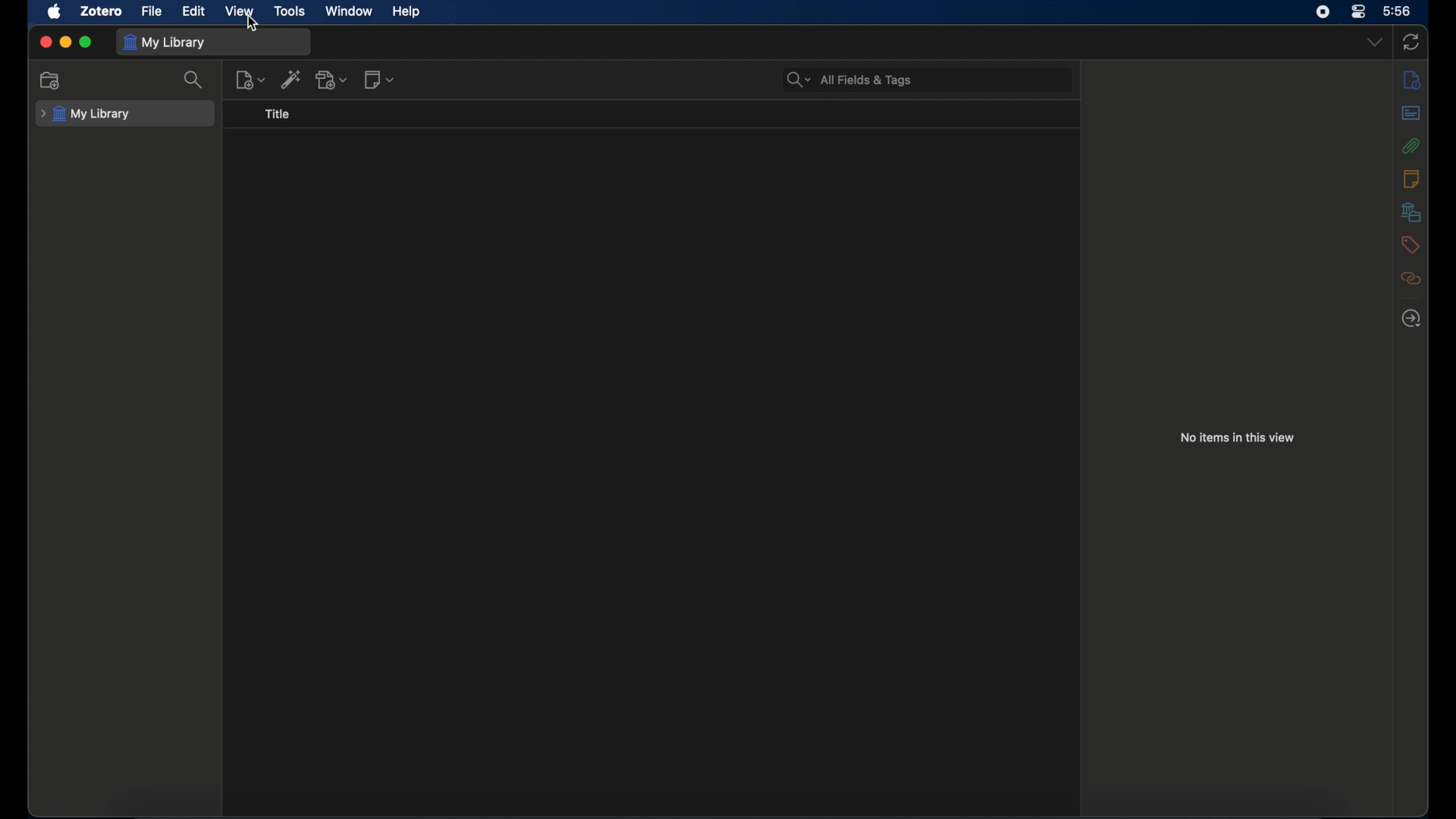 This screenshot has height=819, width=1456. What do you see at coordinates (290, 11) in the screenshot?
I see `tools` at bounding box center [290, 11].